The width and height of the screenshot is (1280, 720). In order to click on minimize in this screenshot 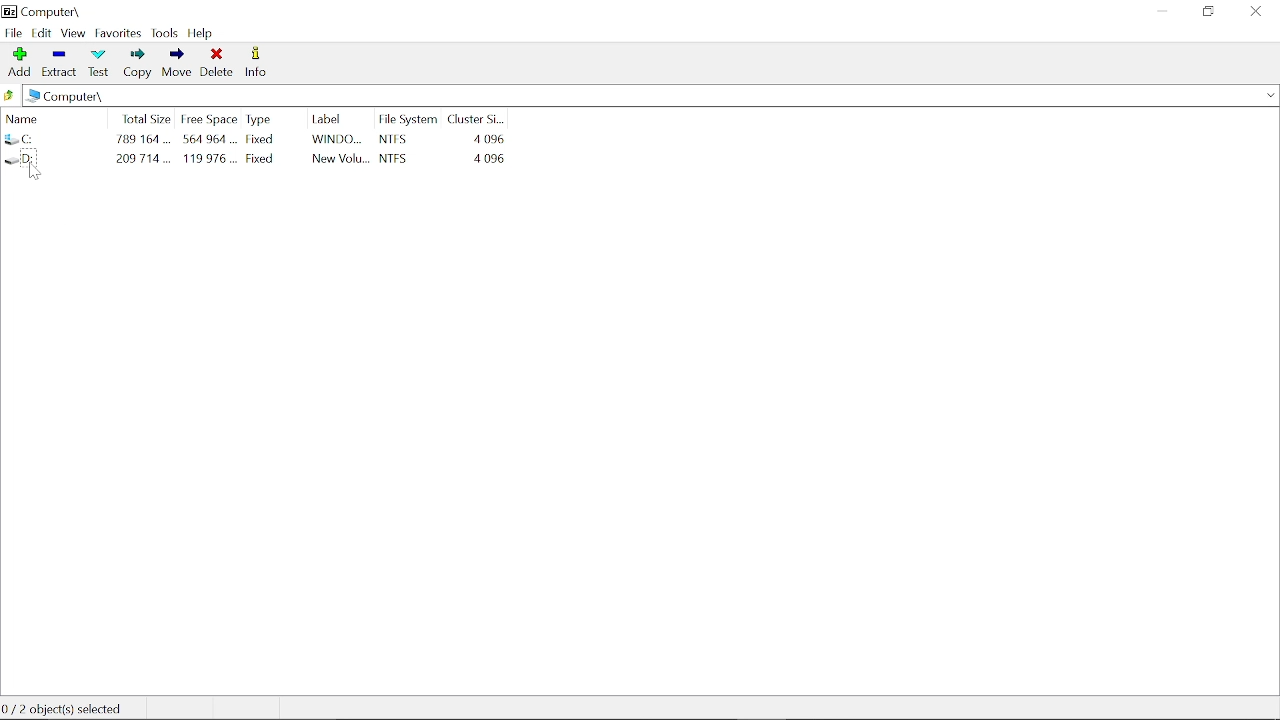, I will do `click(1158, 13)`.